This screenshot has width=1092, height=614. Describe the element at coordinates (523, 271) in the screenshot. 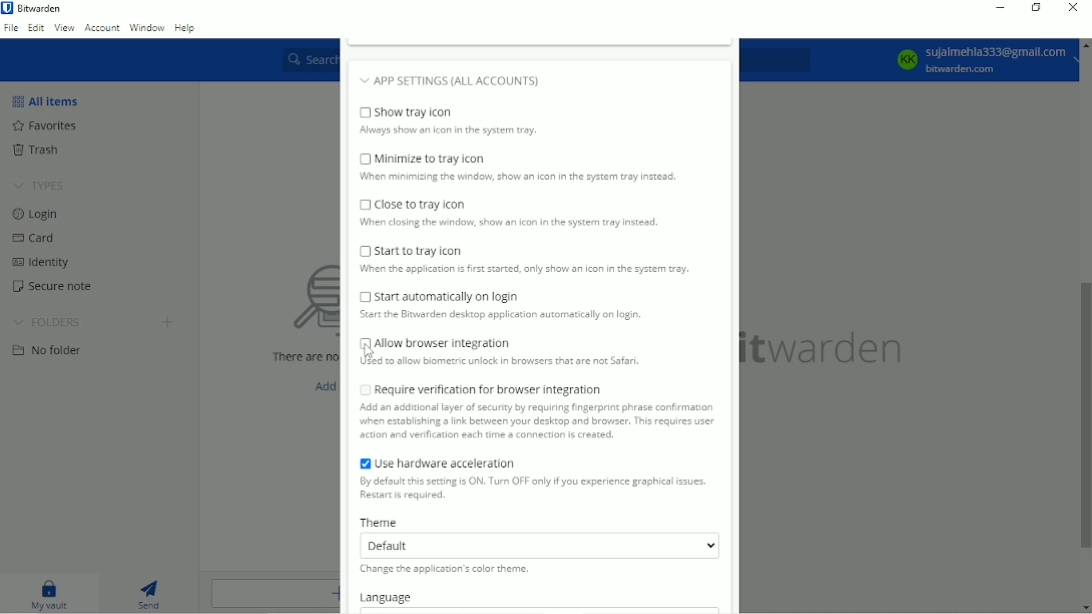

I see `When the application is started, only show an icon in the system tray.` at that location.